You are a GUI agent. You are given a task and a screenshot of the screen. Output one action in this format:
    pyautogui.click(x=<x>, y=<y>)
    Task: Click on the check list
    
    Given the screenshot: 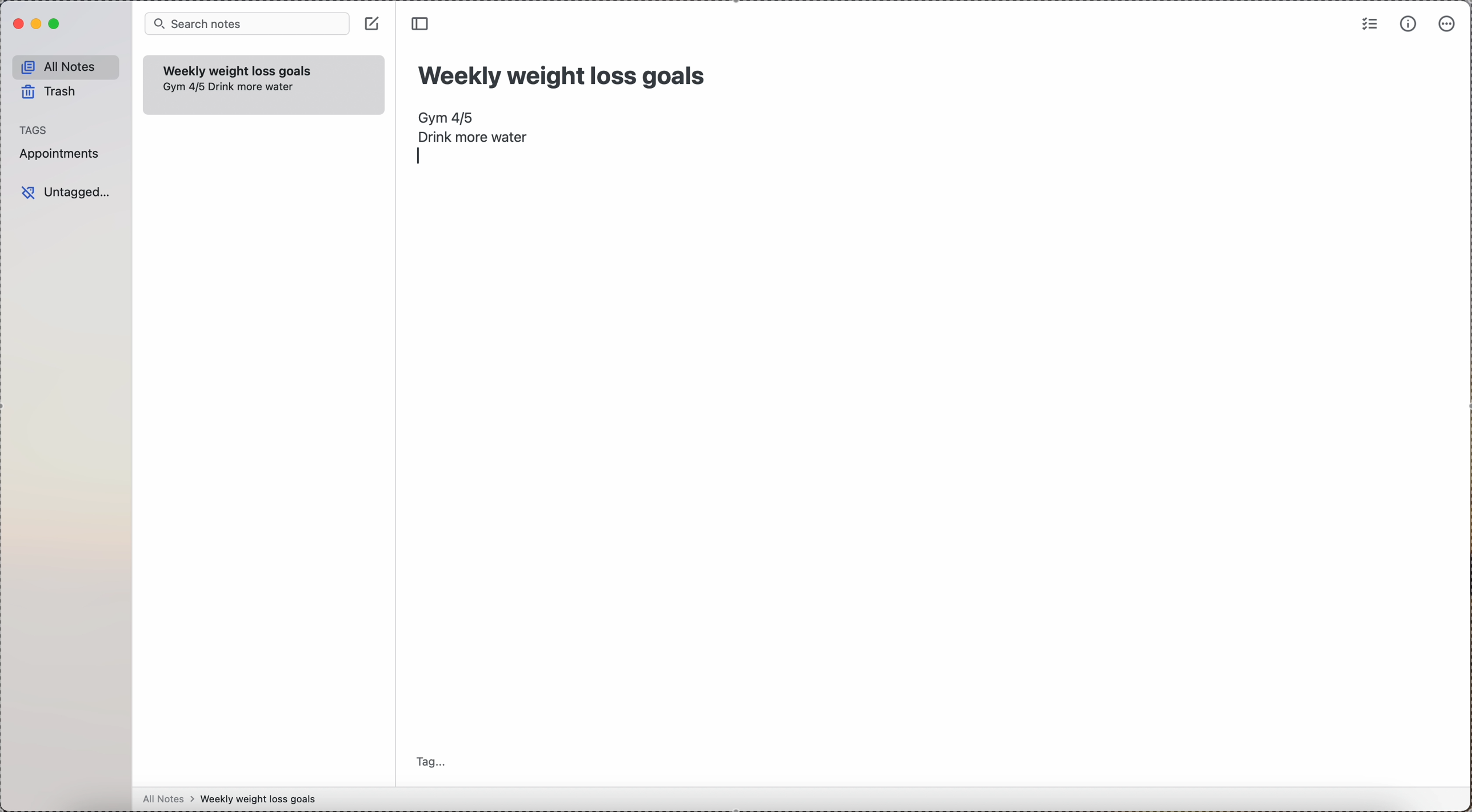 What is the action you would take?
    pyautogui.click(x=1368, y=25)
    